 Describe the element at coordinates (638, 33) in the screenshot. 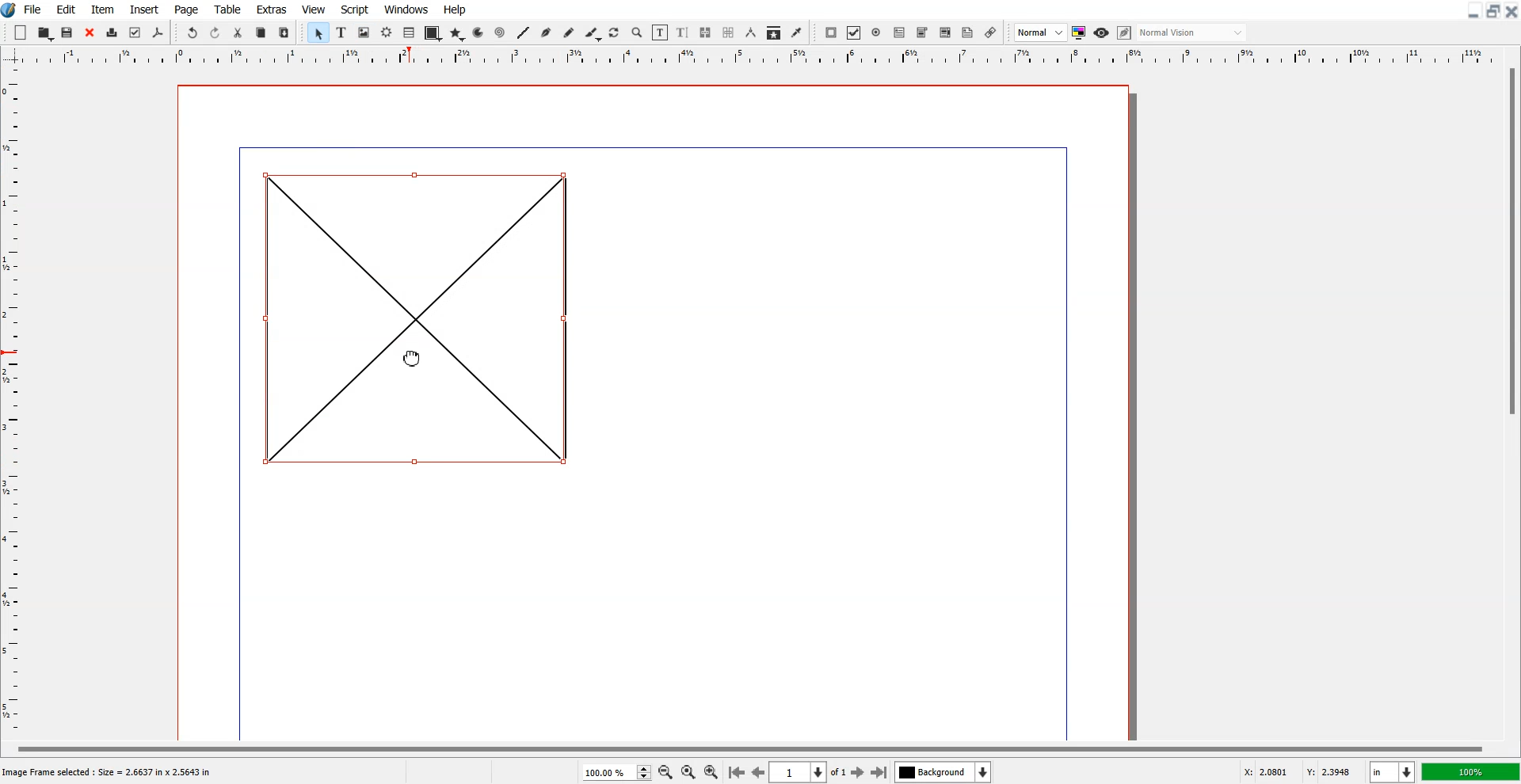

I see `Zoom in or Out` at that location.